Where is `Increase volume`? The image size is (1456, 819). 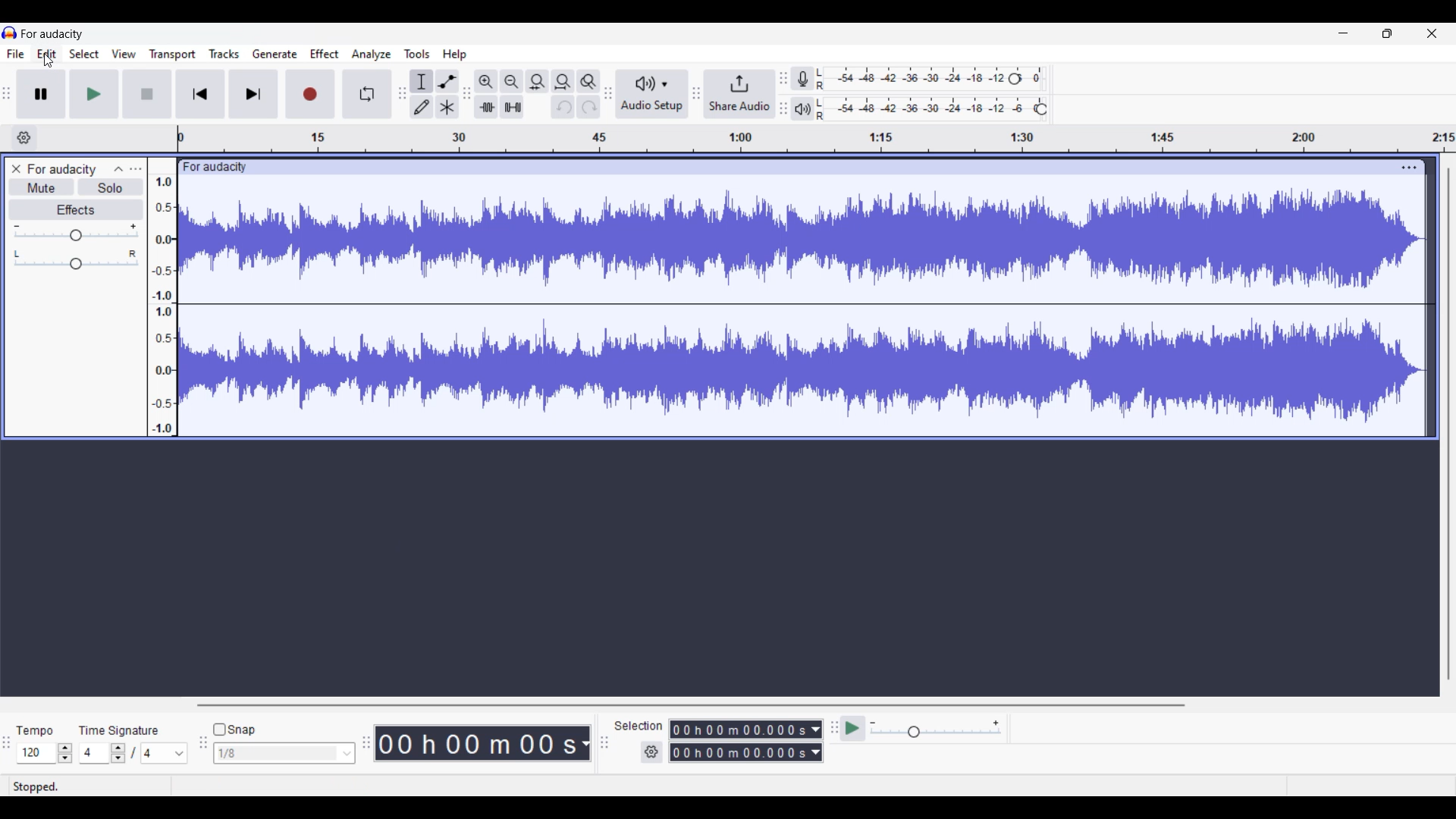
Increase volume is located at coordinates (133, 226).